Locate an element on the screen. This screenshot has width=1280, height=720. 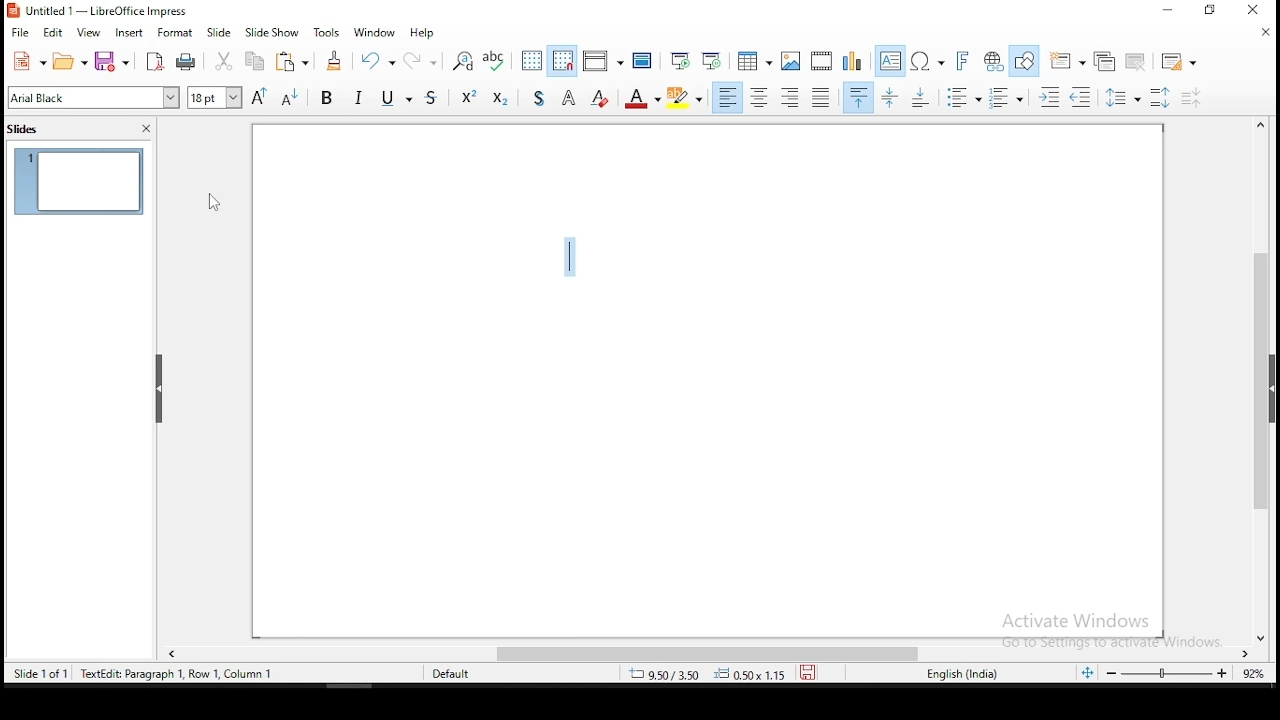
Space between Paragraph is located at coordinates (891, 97).